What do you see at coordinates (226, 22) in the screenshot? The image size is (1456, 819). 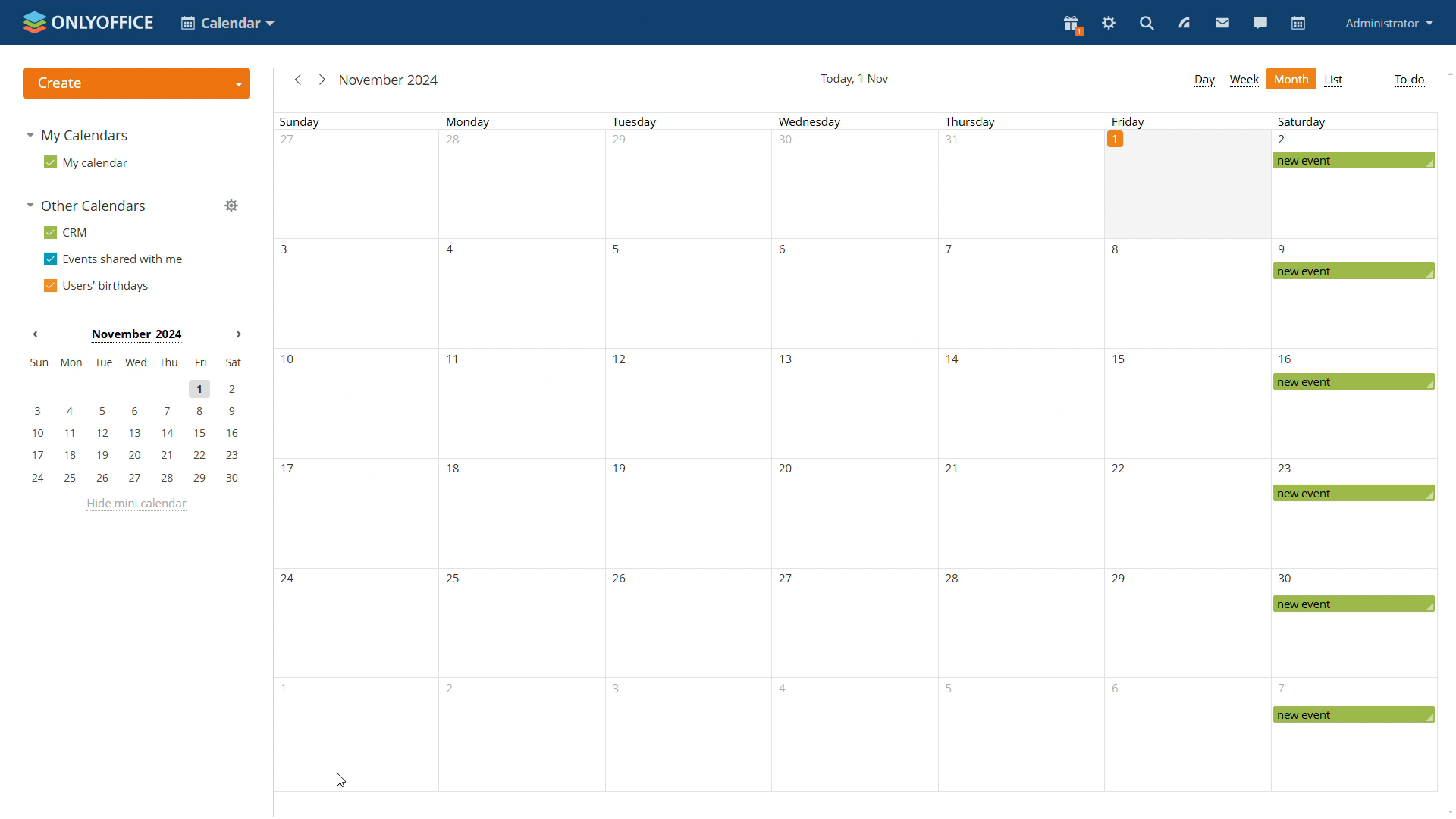 I see `select application` at bounding box center [226, 22].